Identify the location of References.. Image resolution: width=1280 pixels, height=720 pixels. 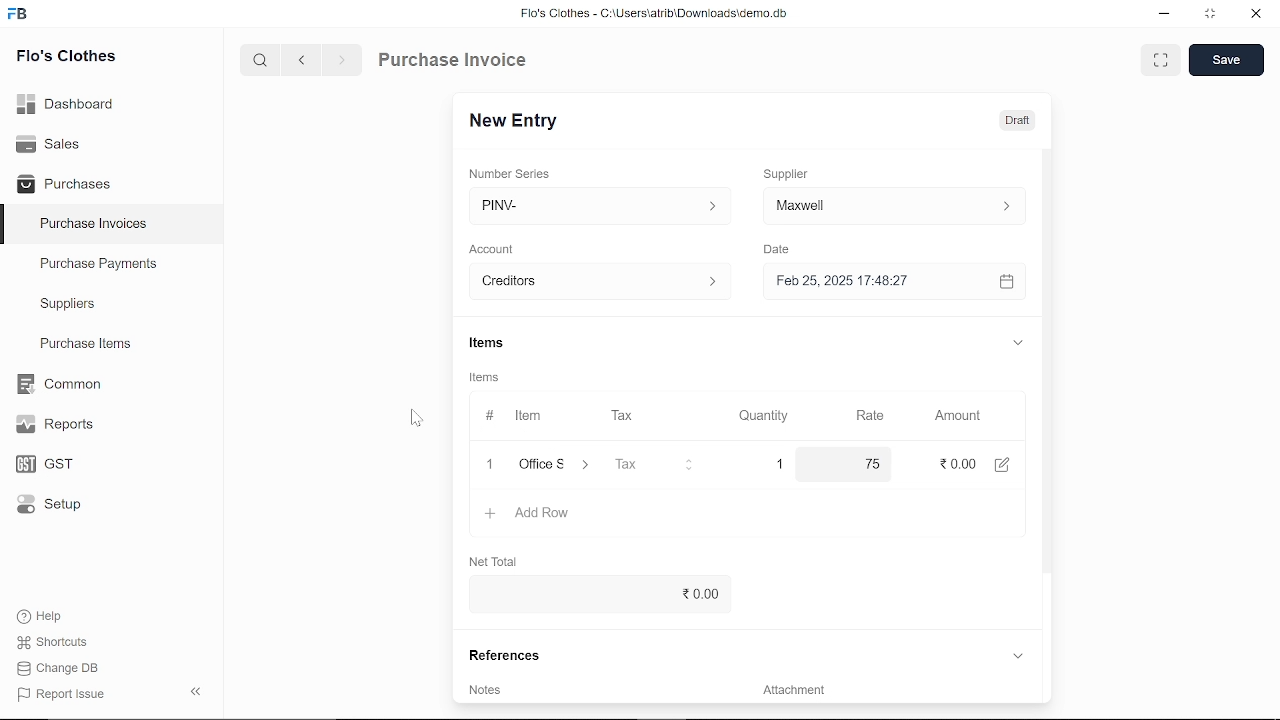
(508, 655).